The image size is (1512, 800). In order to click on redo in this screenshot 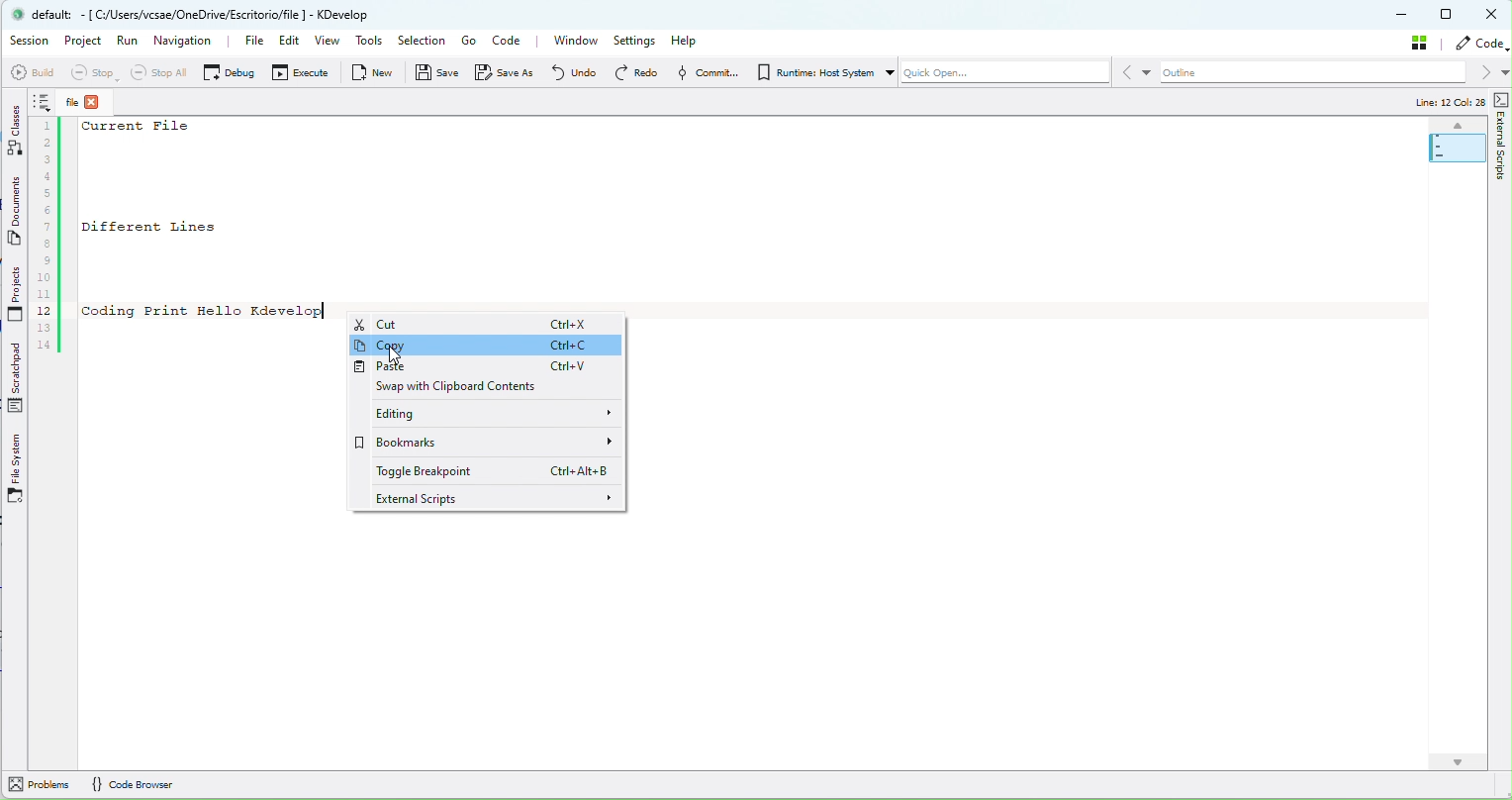, I will do `click(635, 72)`.